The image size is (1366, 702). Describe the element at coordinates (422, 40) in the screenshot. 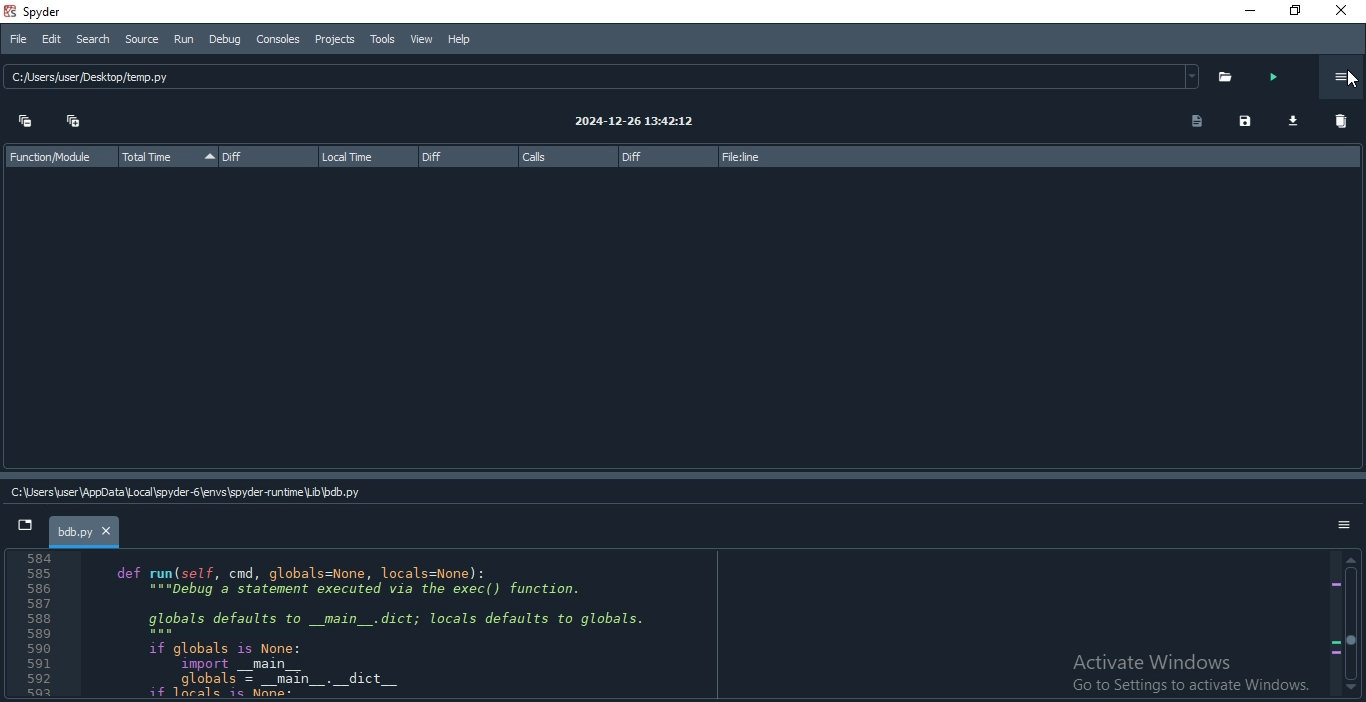

I see `View` at that location.